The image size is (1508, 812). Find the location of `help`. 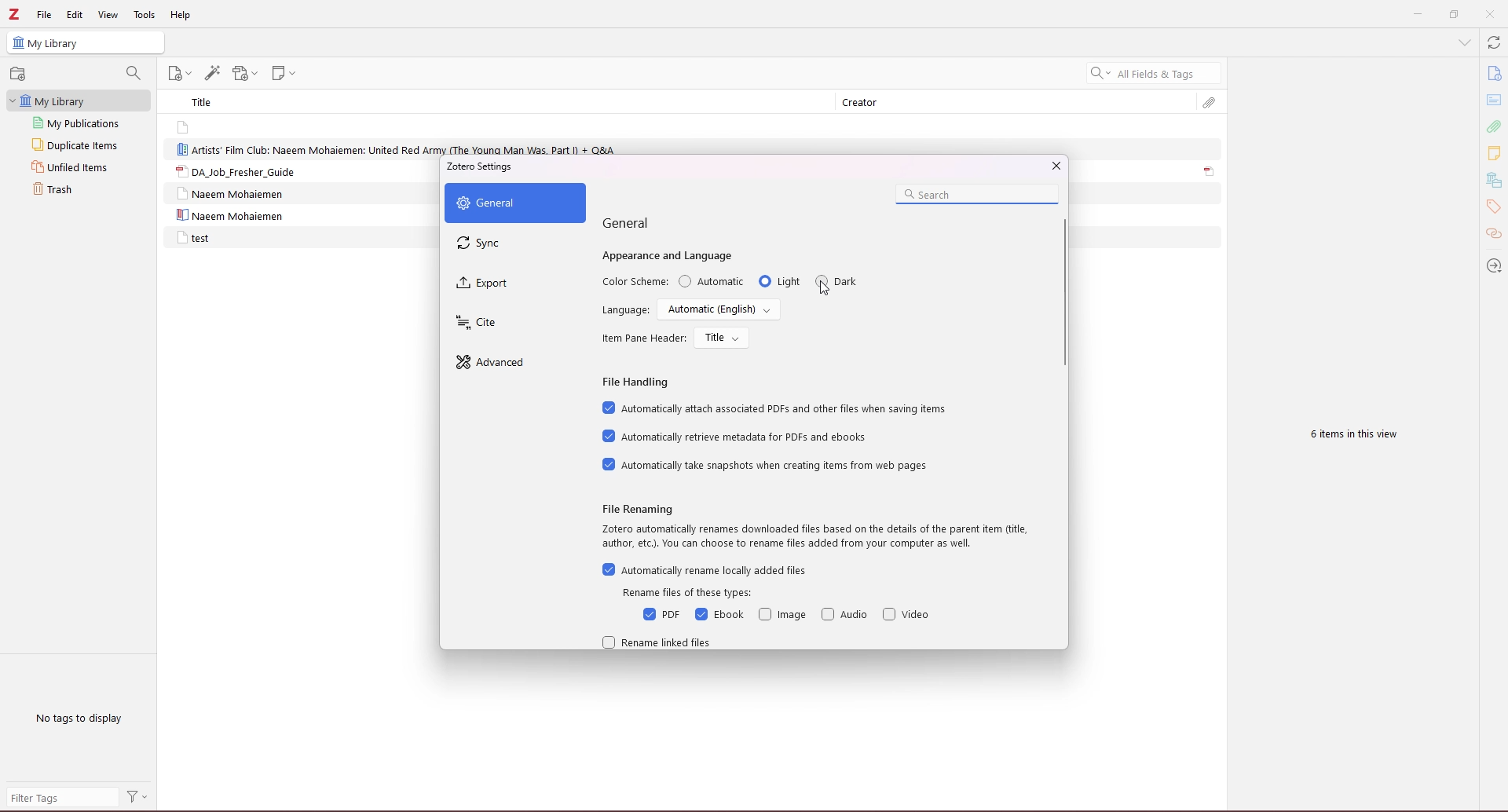

help is located at coordinates (181, 16).